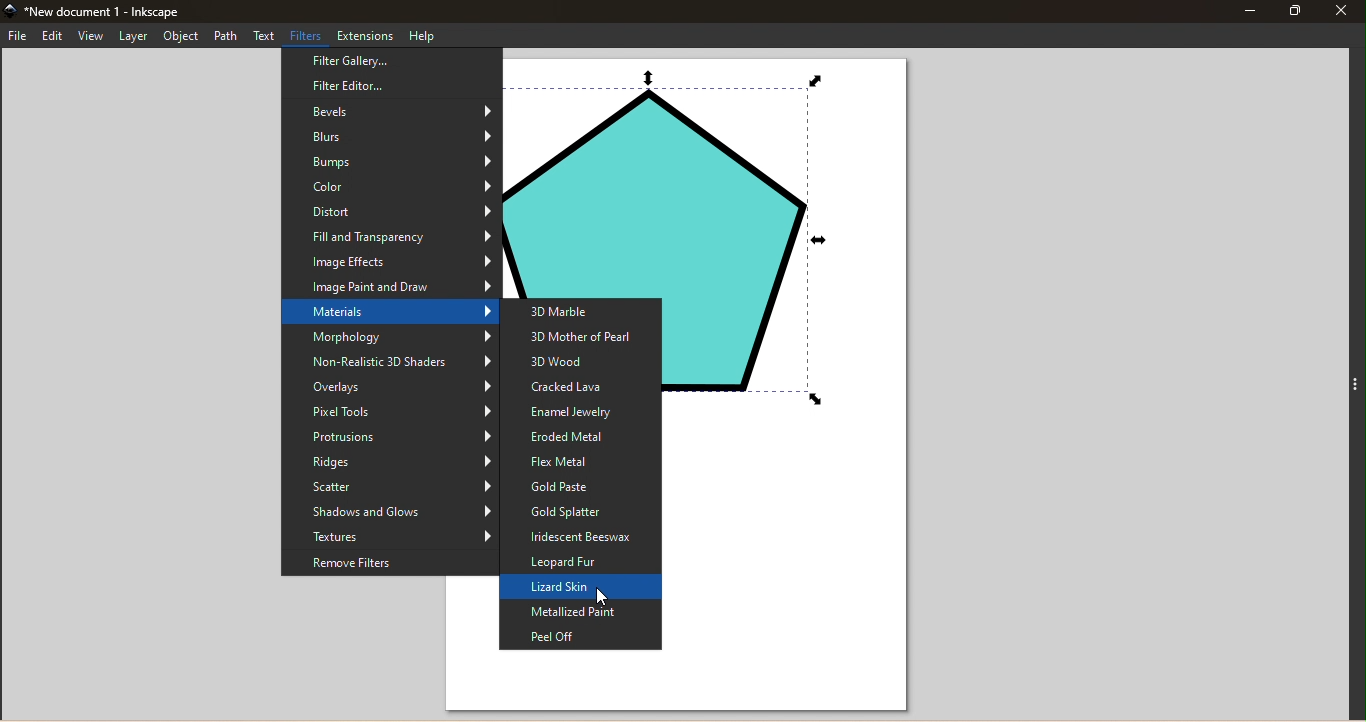  I want to click on Textures, so click(389, 538).